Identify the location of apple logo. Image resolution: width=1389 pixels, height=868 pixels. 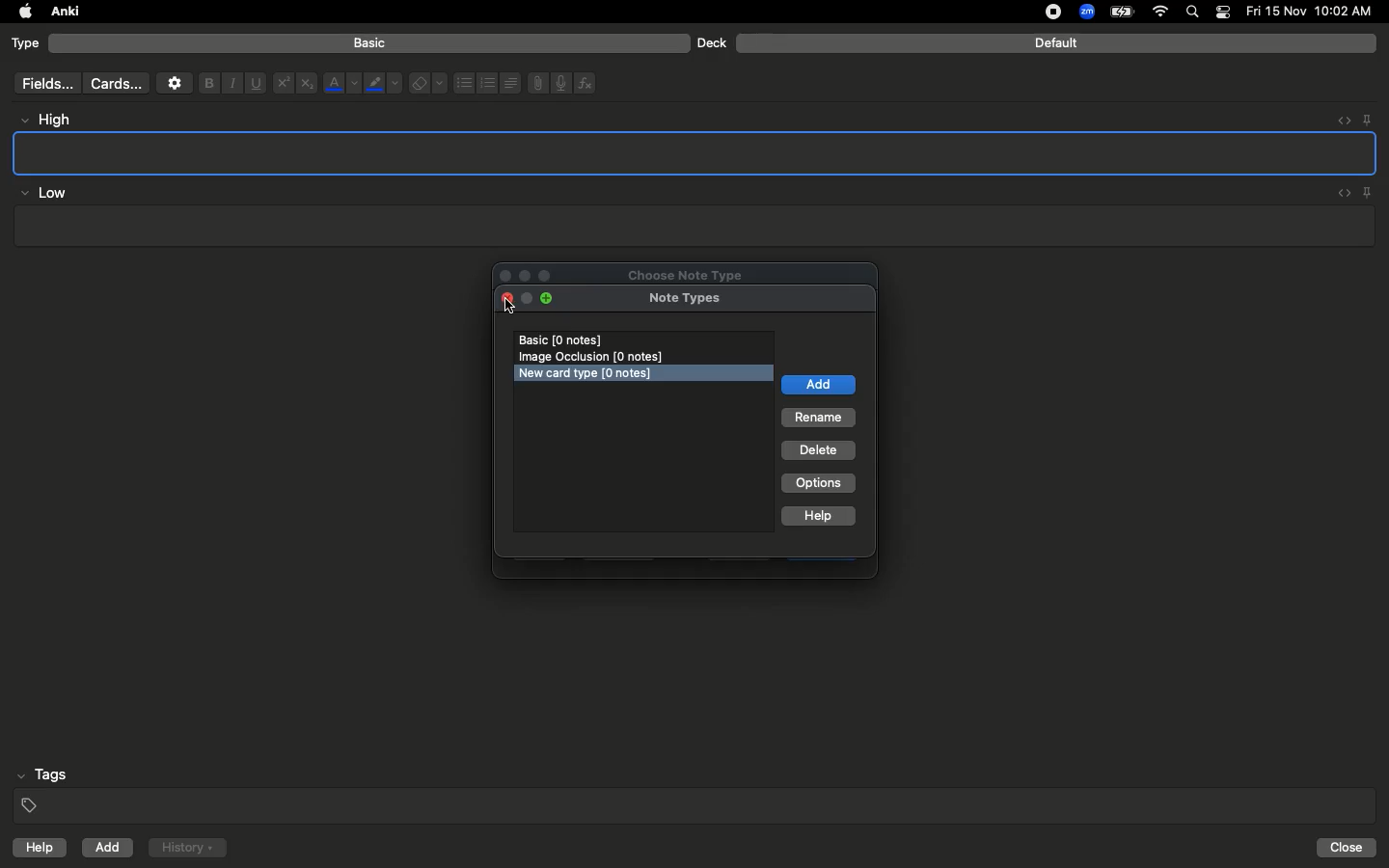
(20, 12).